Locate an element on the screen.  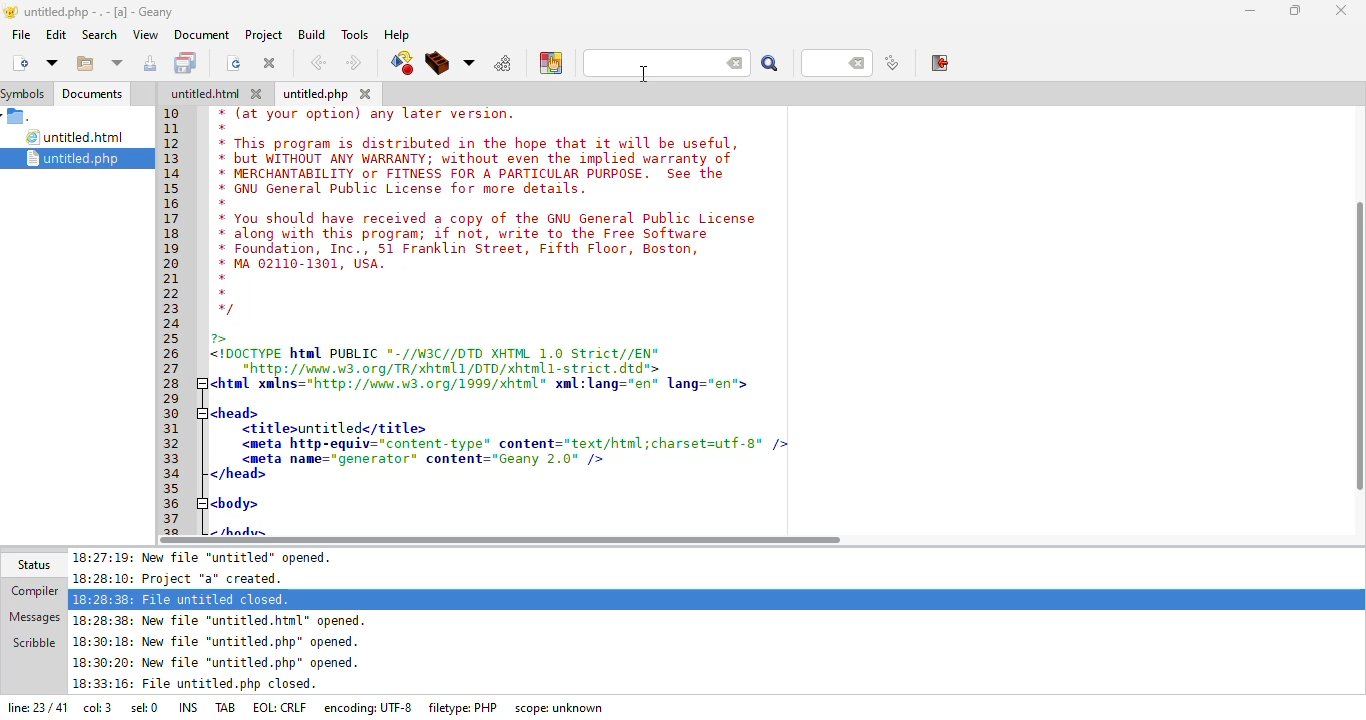
30 is located at coordinates (176, 414).